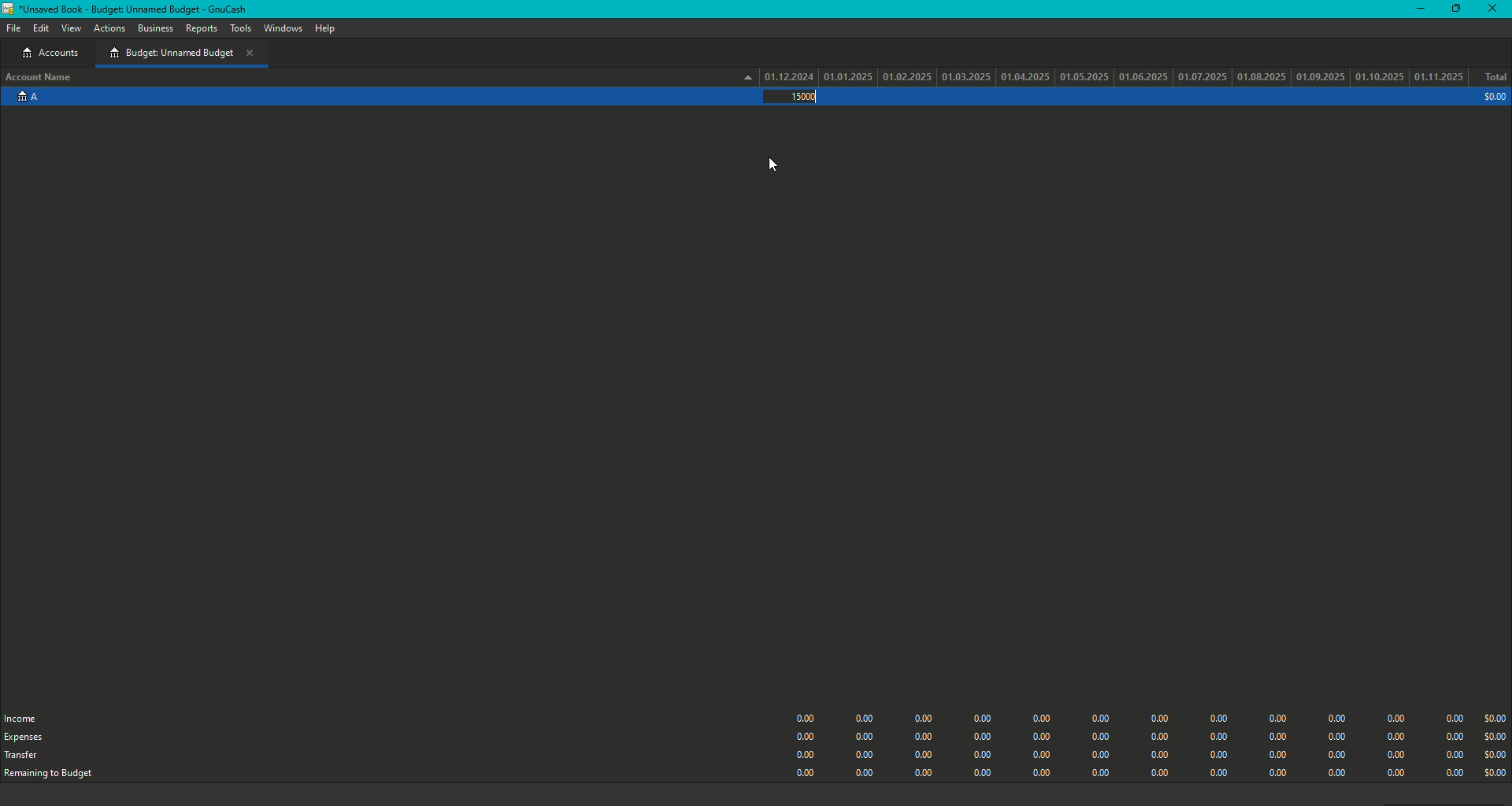 The width and height of the screenshot is (1512, 806). Describe the element at coordinates (776, 160) in the screenshot. I see `Cursor` at that location.